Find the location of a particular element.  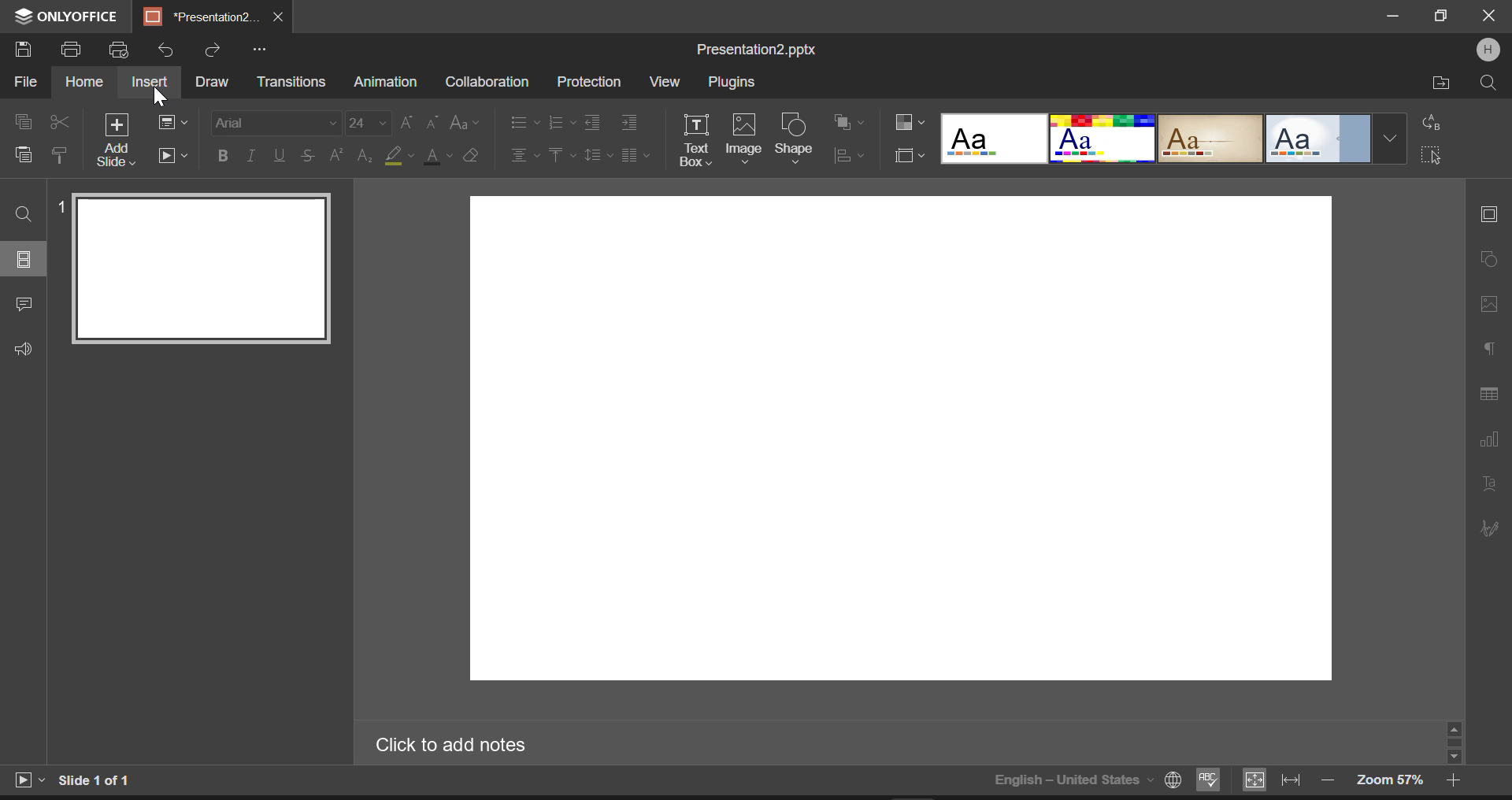

Picture Settings is located at coordinates (1485, 303).